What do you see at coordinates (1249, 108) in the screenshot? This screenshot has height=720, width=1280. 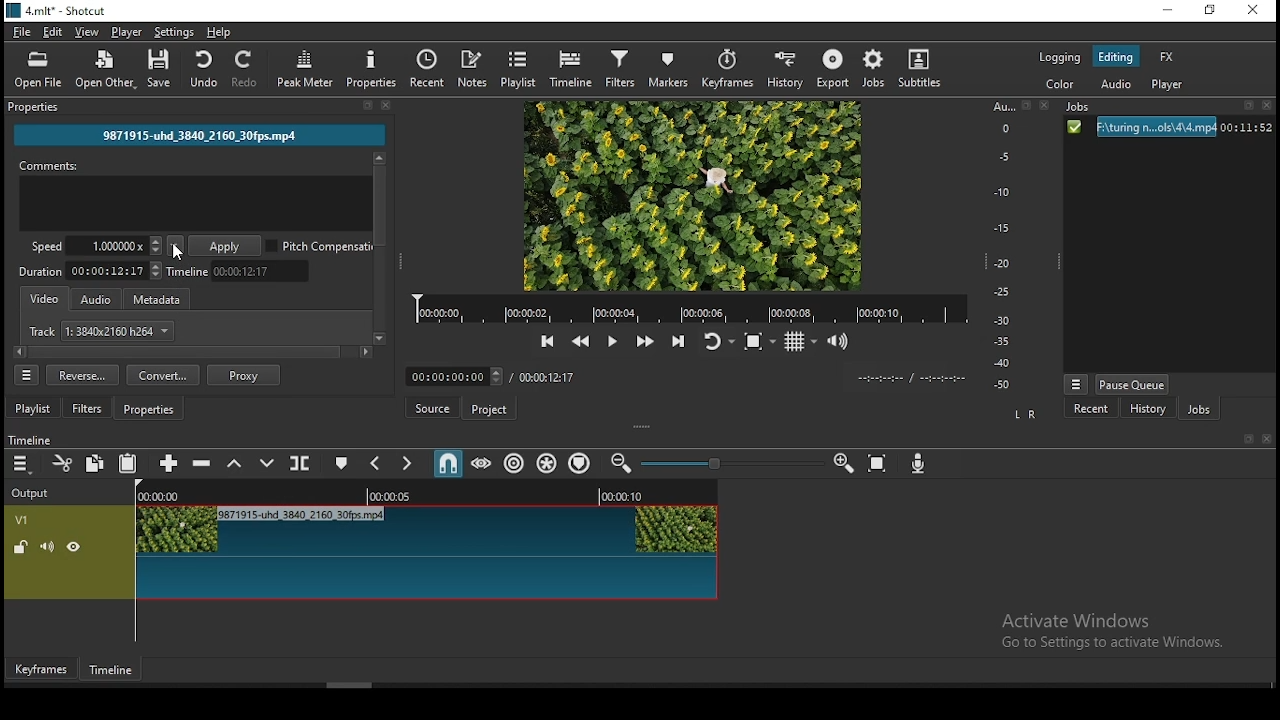 I see `bookmark` at bounding box center [1249, 108].